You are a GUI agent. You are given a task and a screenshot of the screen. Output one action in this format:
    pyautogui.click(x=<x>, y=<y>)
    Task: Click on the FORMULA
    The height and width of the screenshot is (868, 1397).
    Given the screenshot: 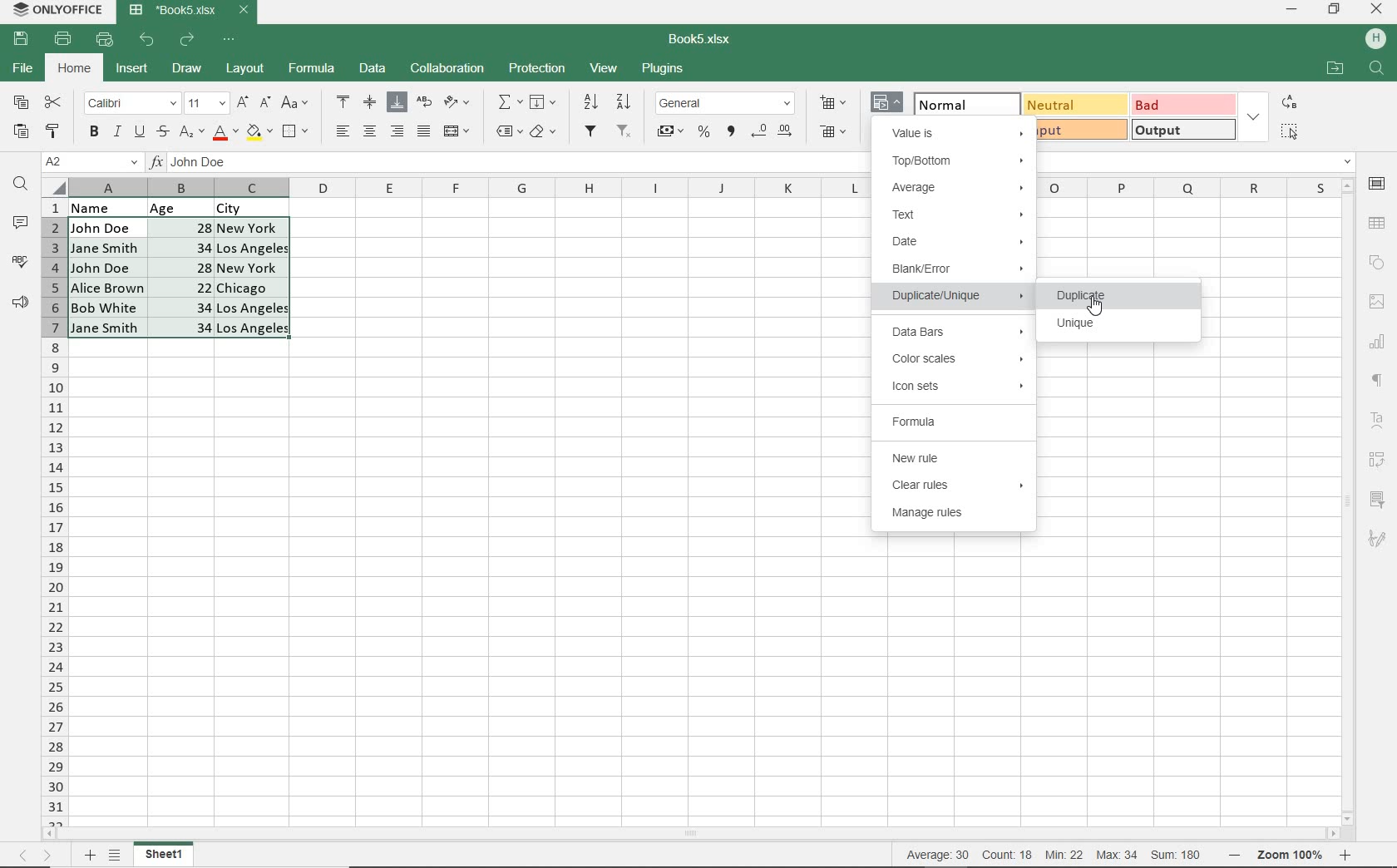 What is the action you would take?
    pyautogui.click(x=313, y=69)
    